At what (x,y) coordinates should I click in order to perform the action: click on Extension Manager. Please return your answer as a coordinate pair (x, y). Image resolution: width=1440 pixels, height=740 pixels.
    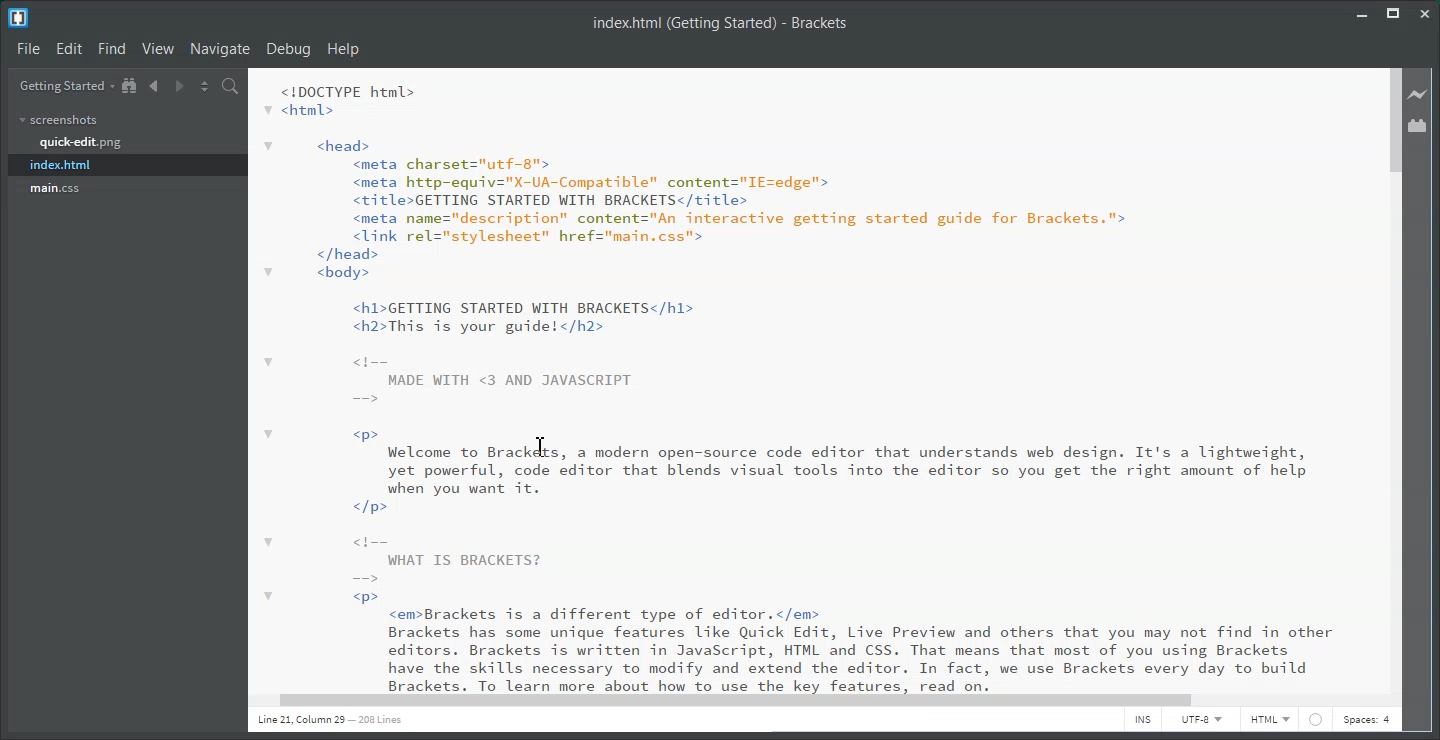
    Looking at the image, I should click on (1424, 124).